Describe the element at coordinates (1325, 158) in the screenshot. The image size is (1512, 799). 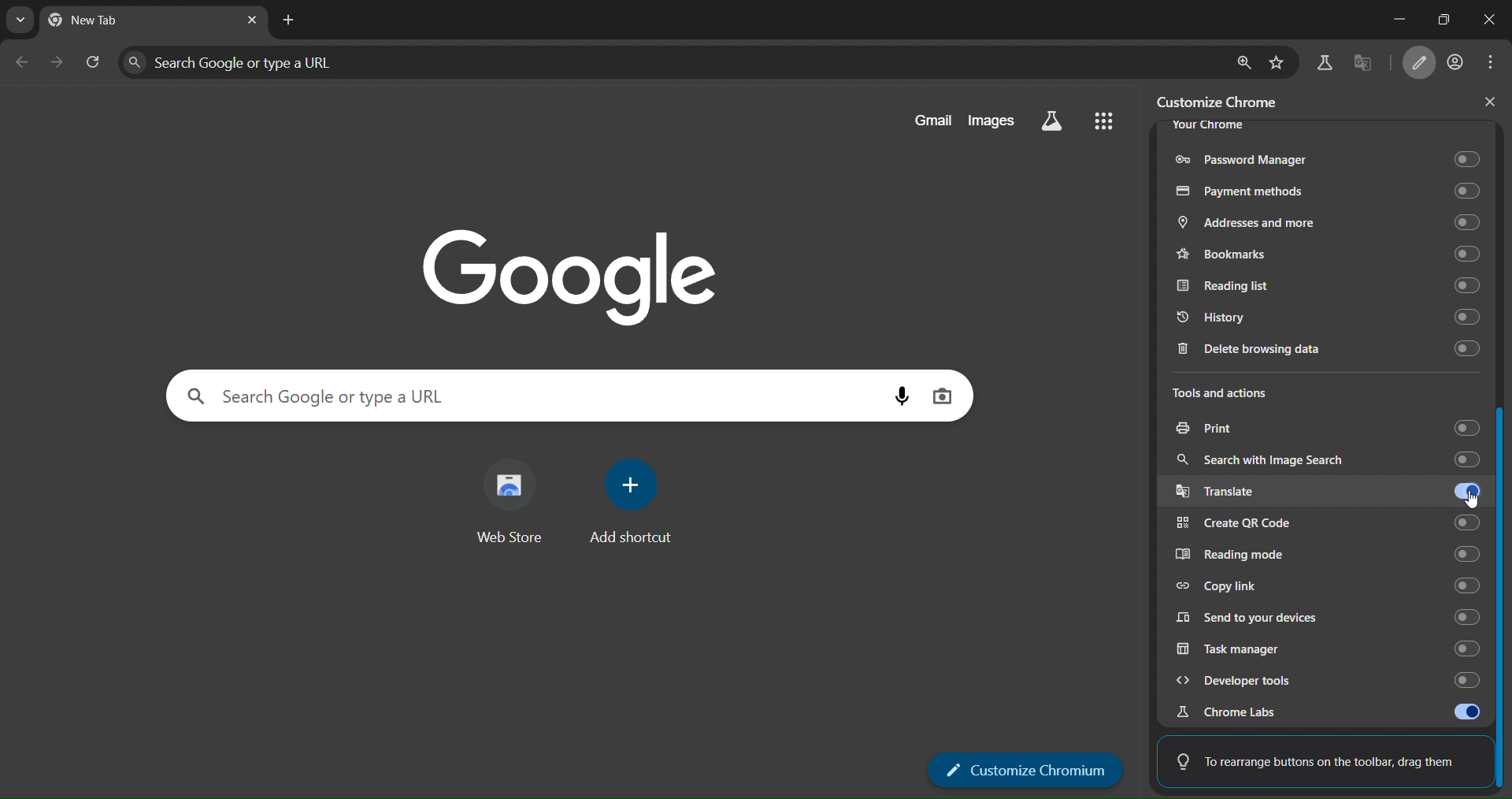
I see `password manager` at that location.